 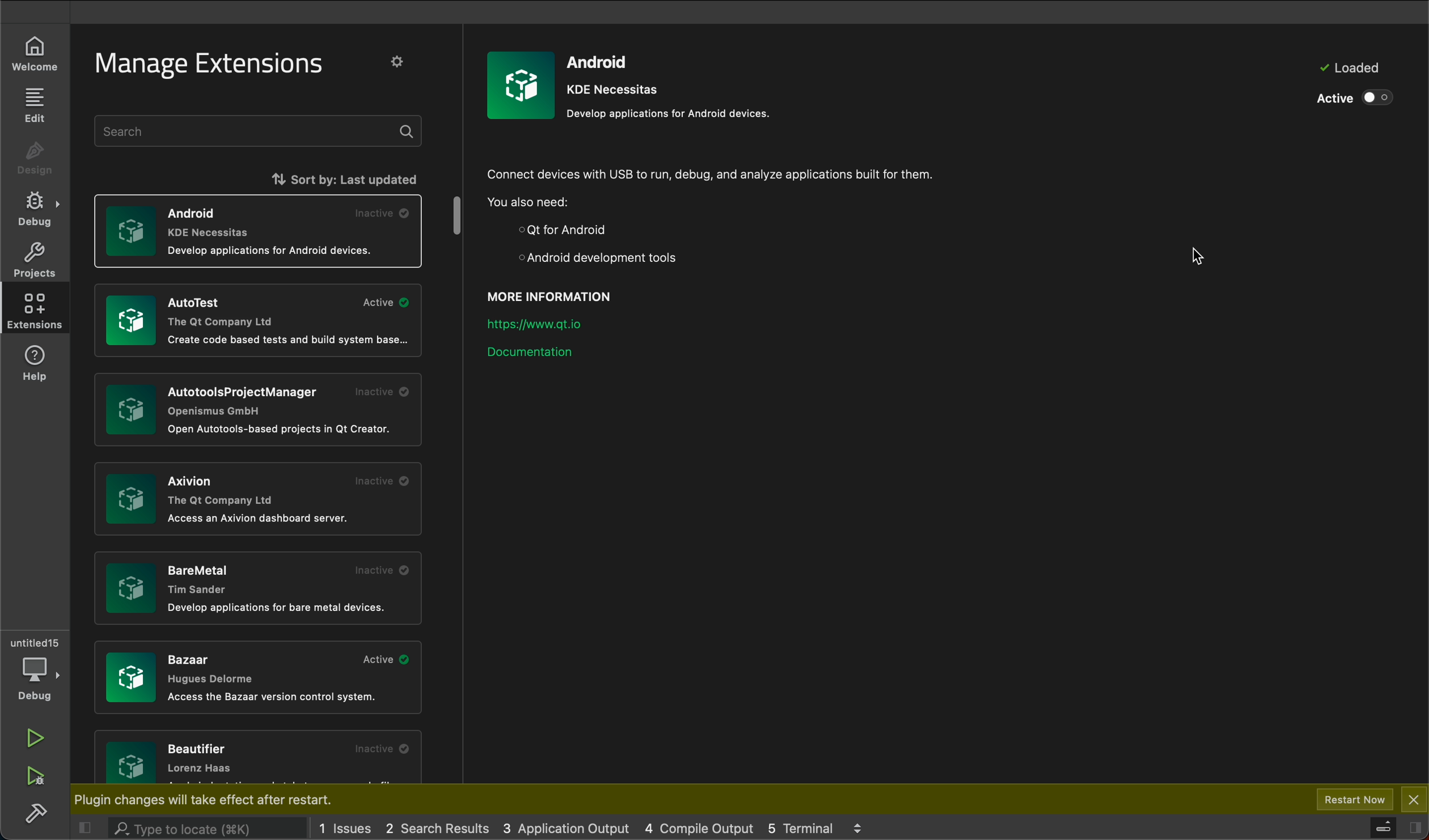 I want to click on scroll bar, so click(x=460, y=219).